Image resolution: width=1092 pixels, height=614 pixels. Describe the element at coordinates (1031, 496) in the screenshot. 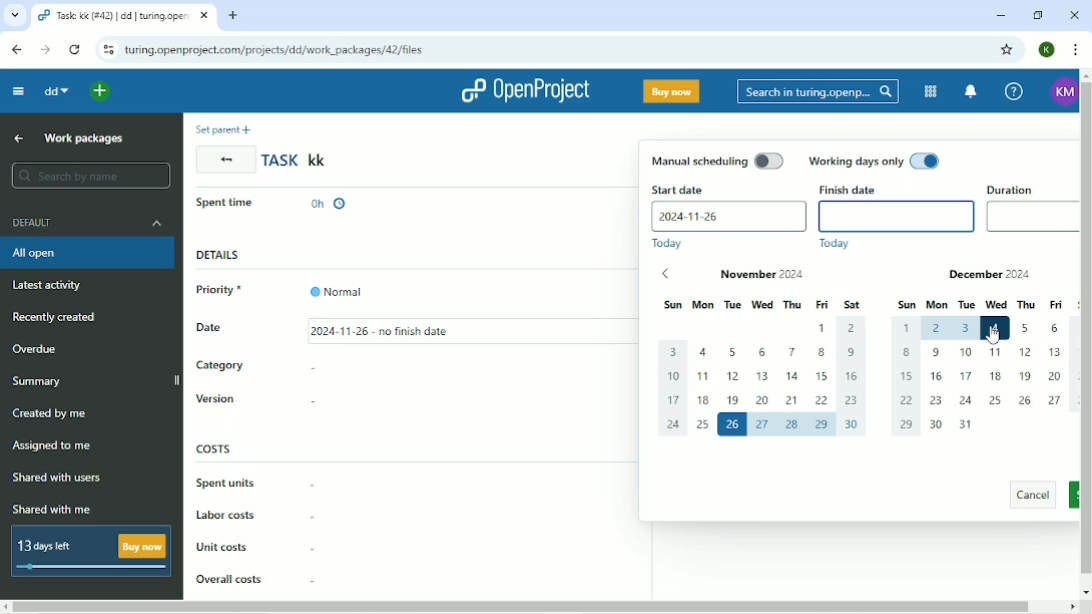

I see `cancel` at that location.